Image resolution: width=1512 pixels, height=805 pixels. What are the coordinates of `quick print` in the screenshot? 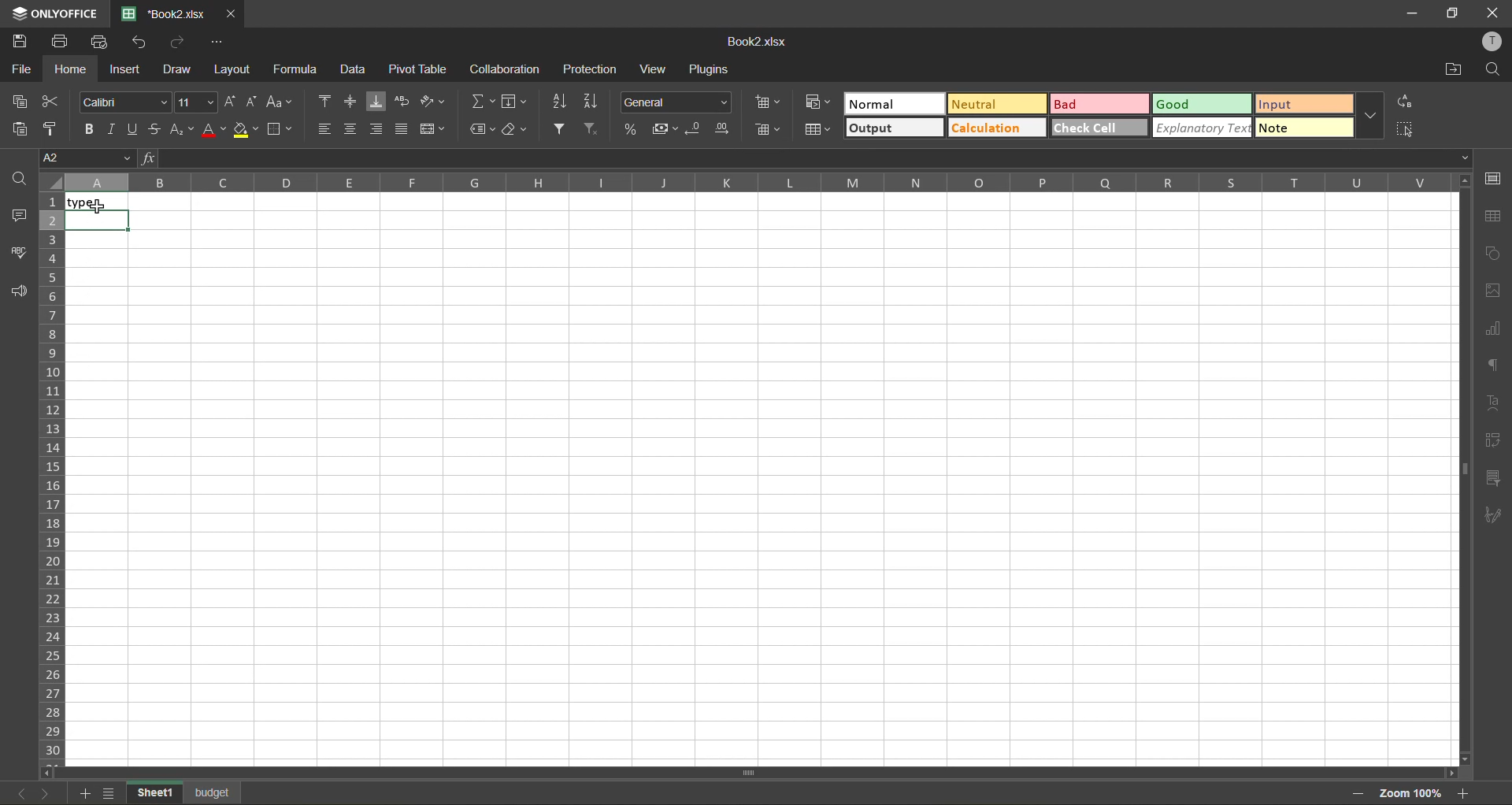 It's located at (103, 42).